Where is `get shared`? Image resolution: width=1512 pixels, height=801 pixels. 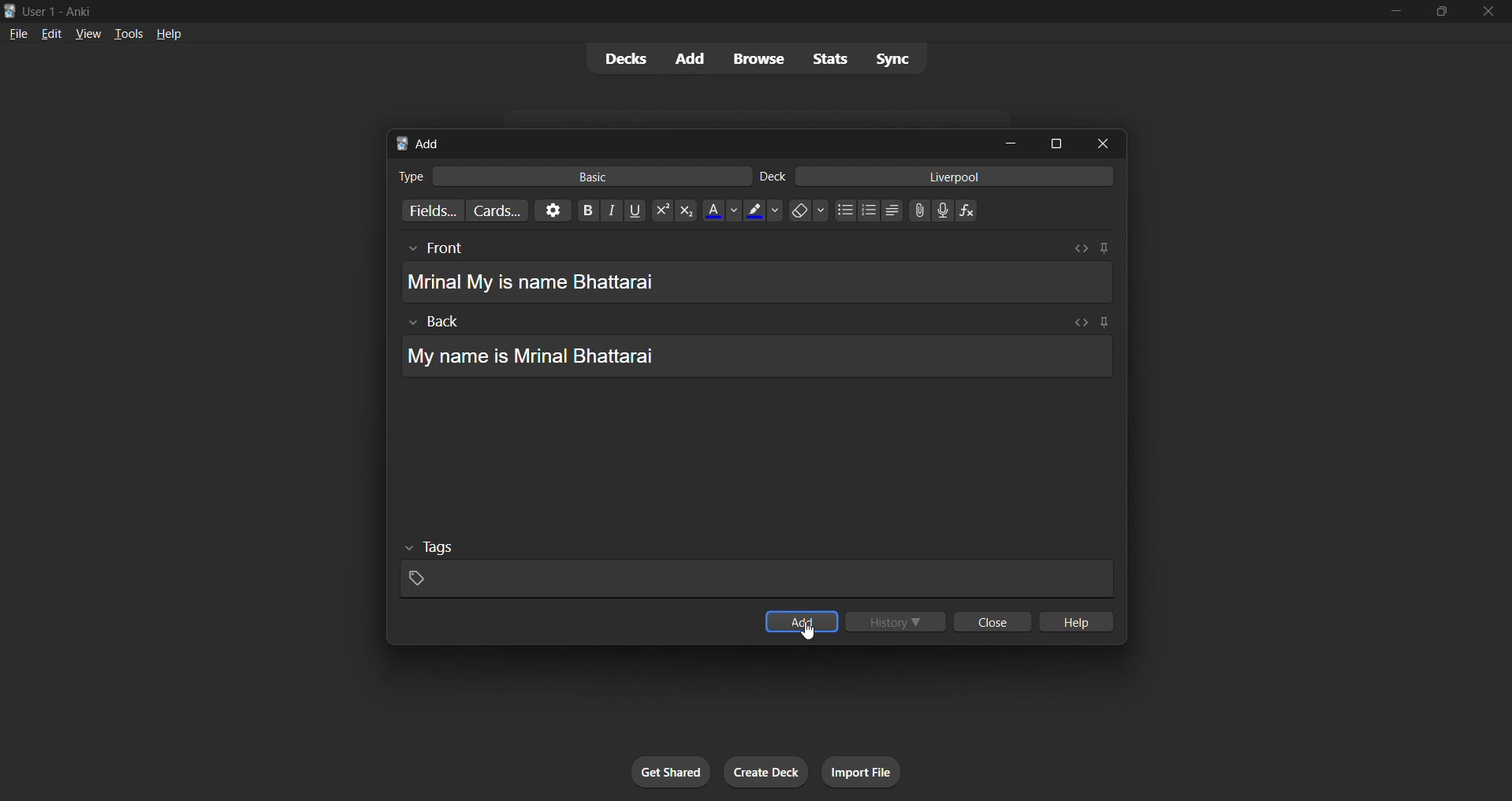
get shared is located at coordinates (665, 773).